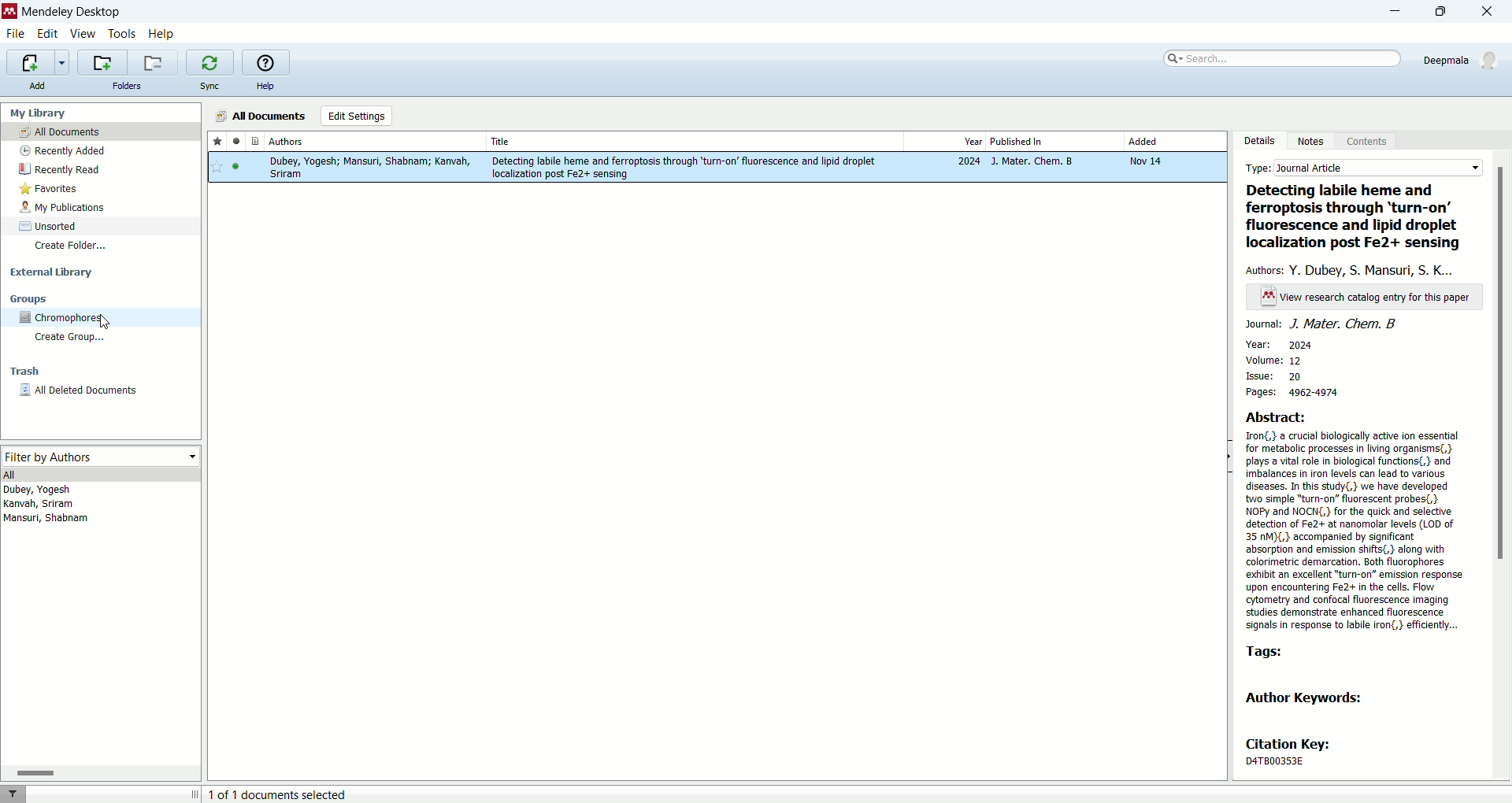 This screenshot has height=803, width=1512. Describe the element at coordinates (1280, 343) in the screenshot. I see `year:  2024` at that location.